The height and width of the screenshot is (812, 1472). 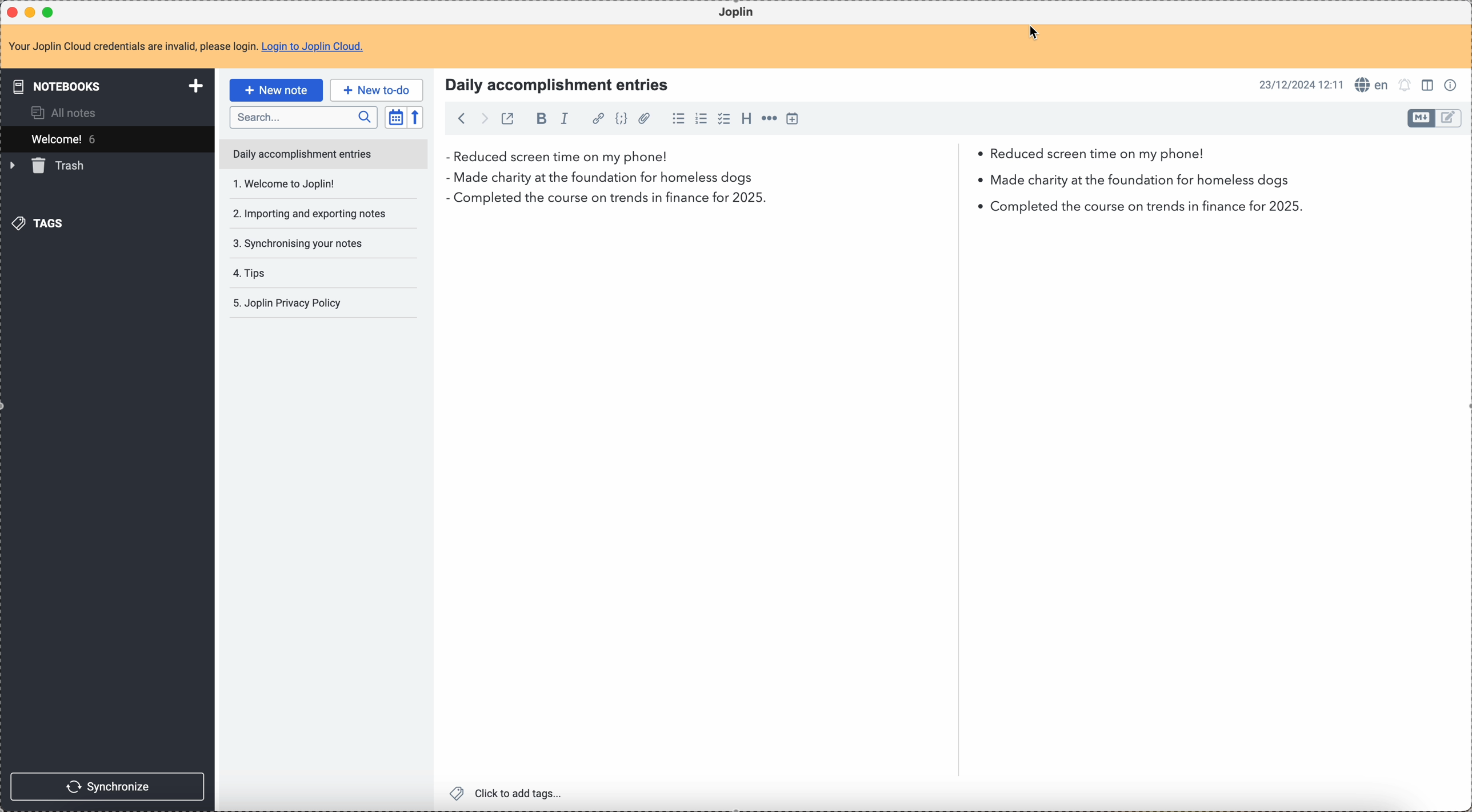 I want to click on importing and exporting notes, so click(x=309, y=183).